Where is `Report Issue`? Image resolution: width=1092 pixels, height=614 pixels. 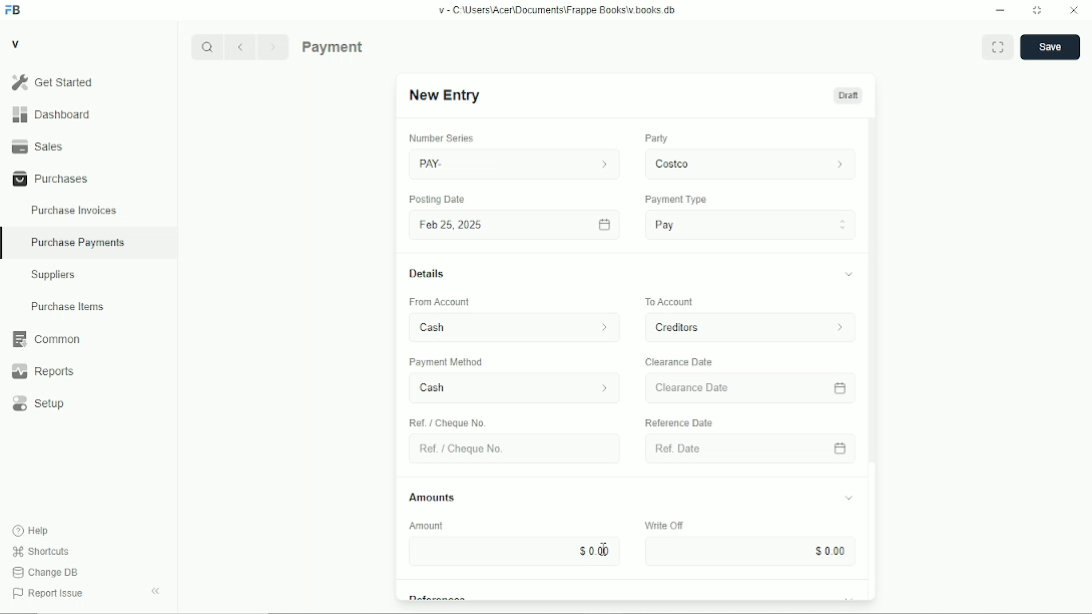
Report Issue is located at coordinates (49, 593).